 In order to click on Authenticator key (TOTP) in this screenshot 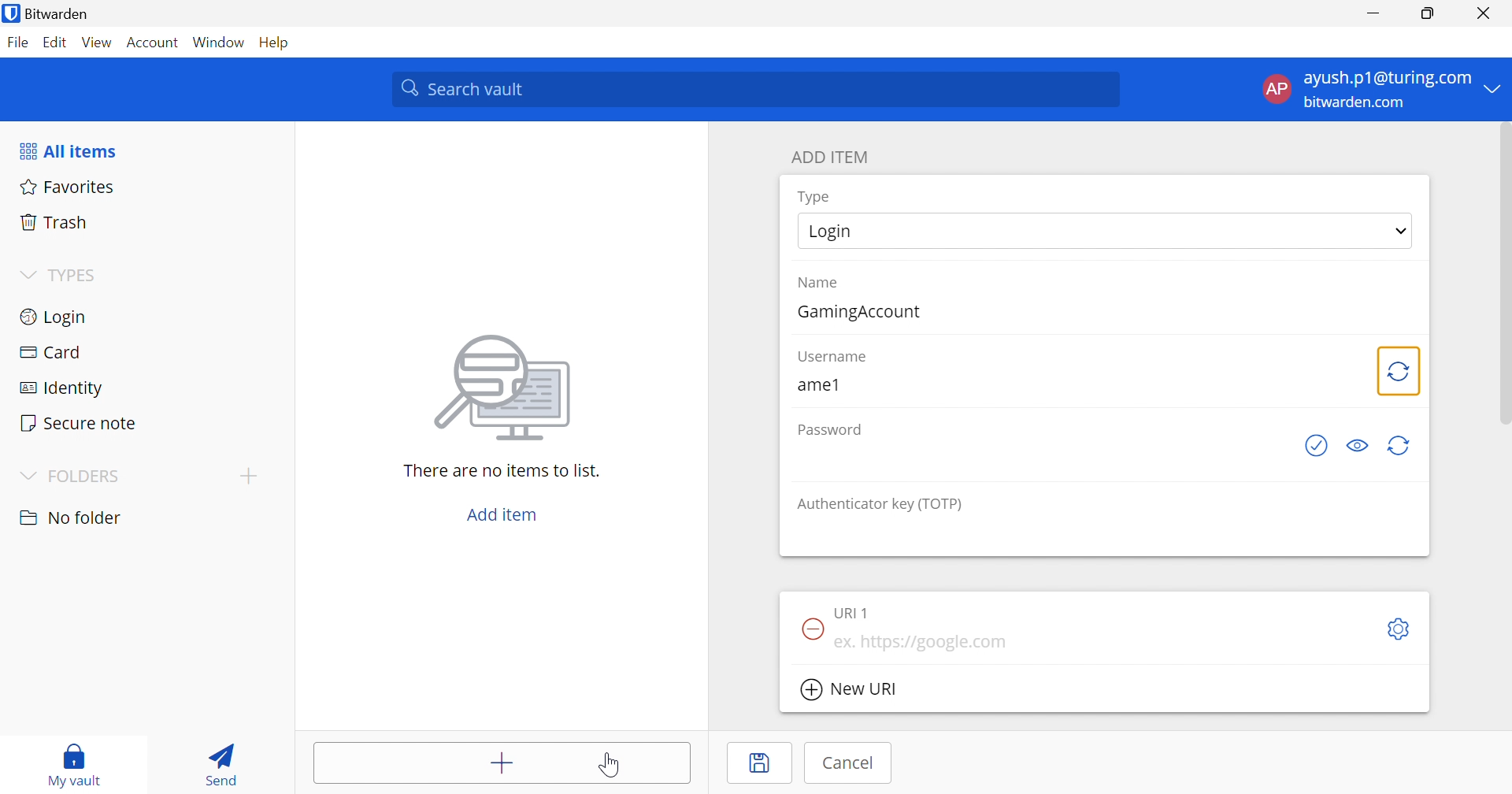, I will do `click(884, 504)`.